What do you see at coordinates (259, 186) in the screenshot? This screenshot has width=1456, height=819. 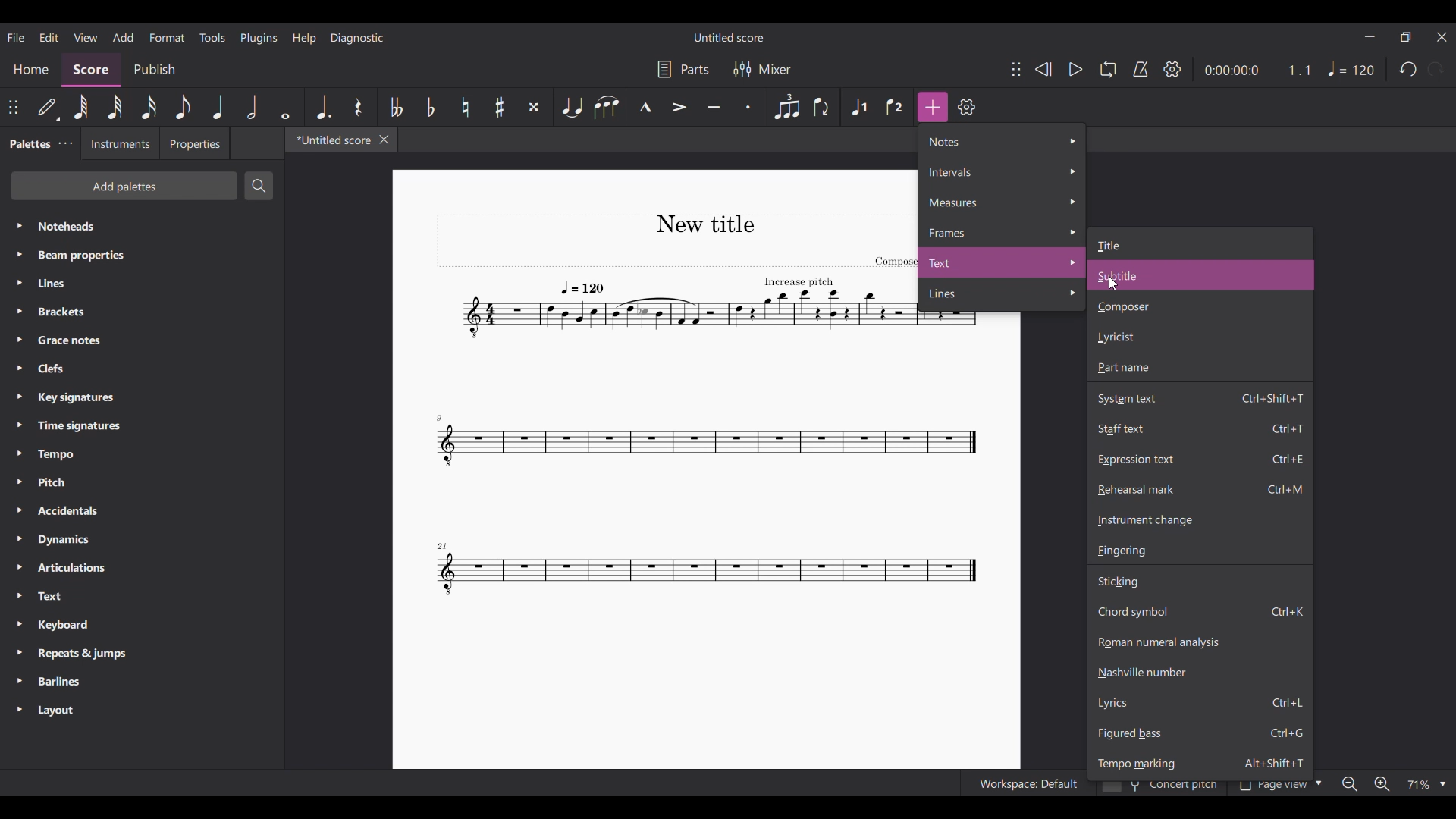 I see `Search` at bounding box center [259, 186].